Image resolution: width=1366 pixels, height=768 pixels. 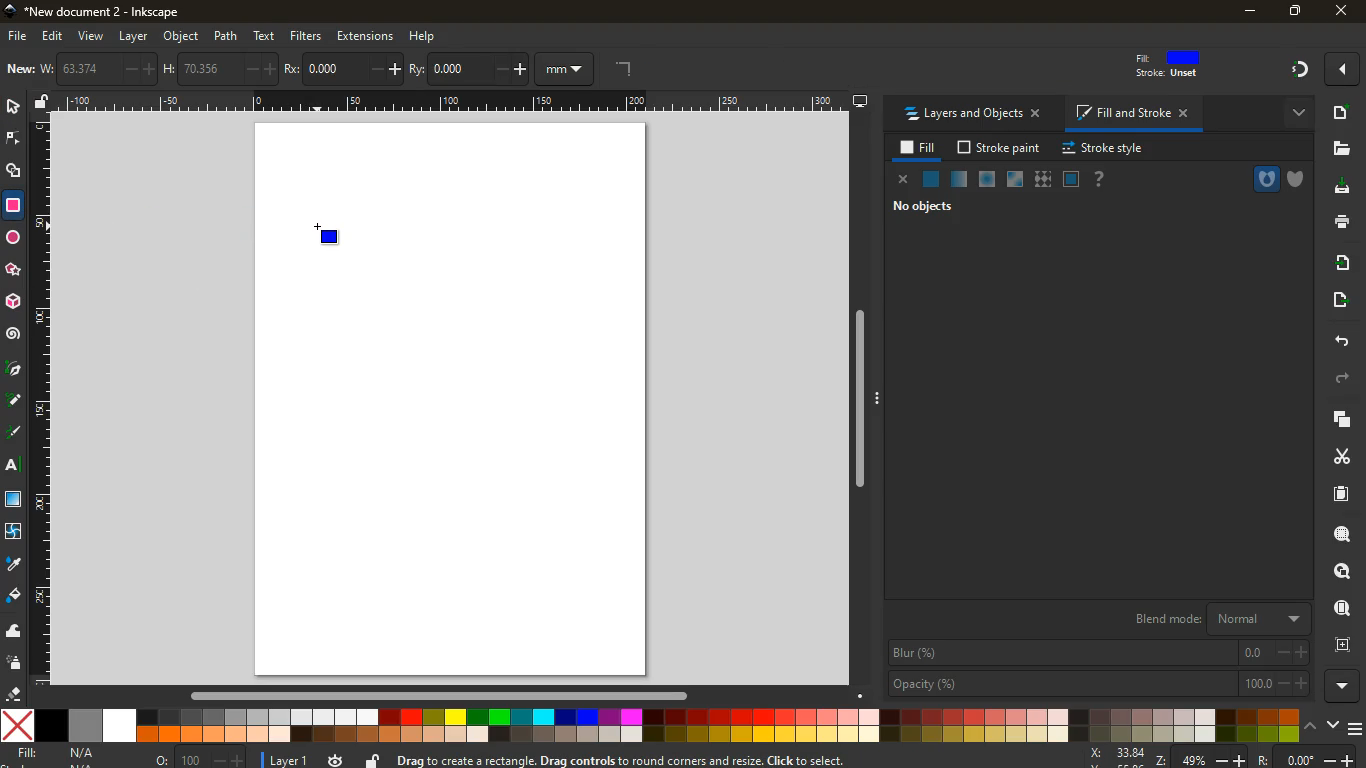 What do you see at coordinates (905, 181) in the screenshot?
I see `close` at bounding box center [905, 181].